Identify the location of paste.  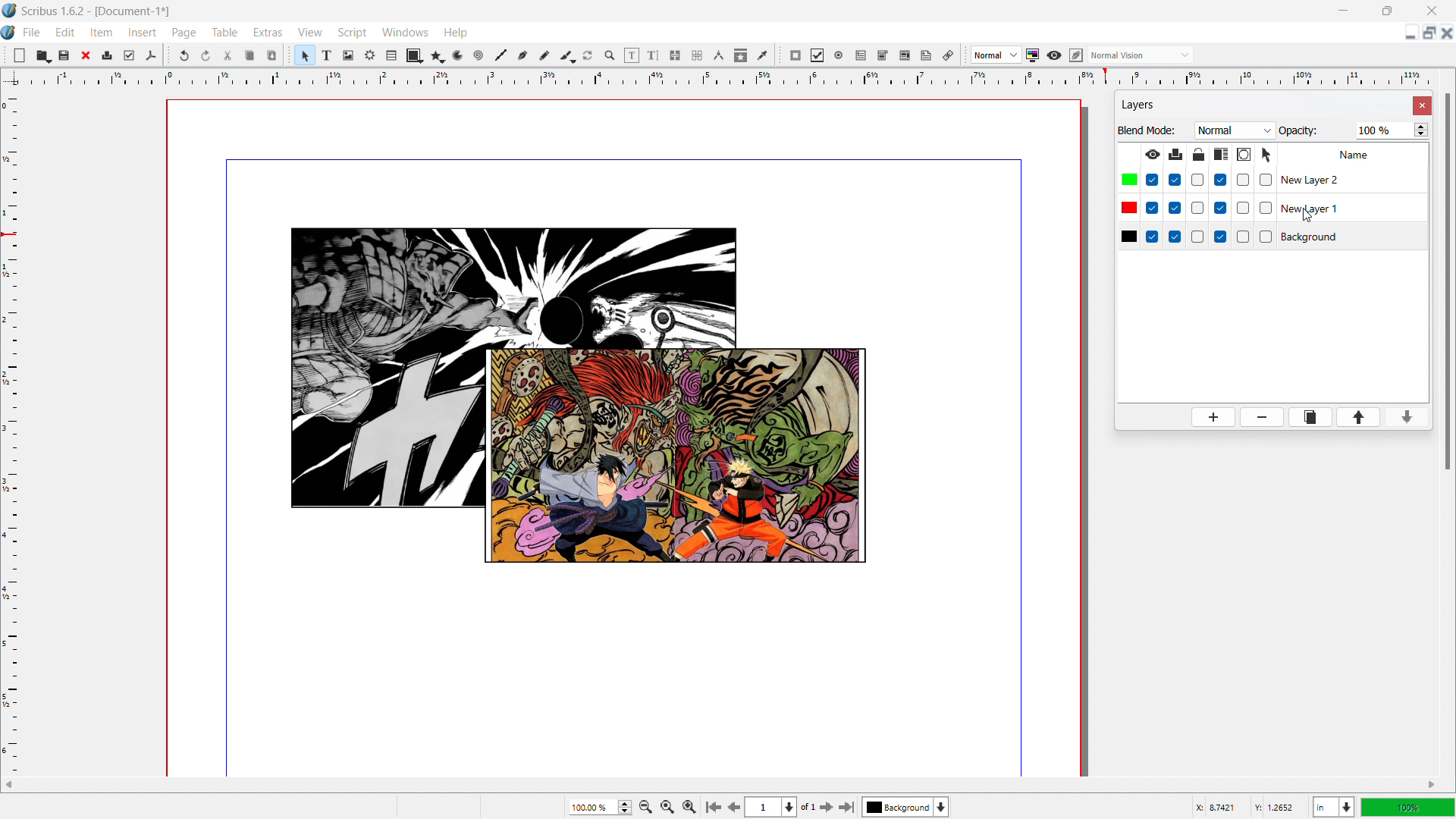
(272, 55).